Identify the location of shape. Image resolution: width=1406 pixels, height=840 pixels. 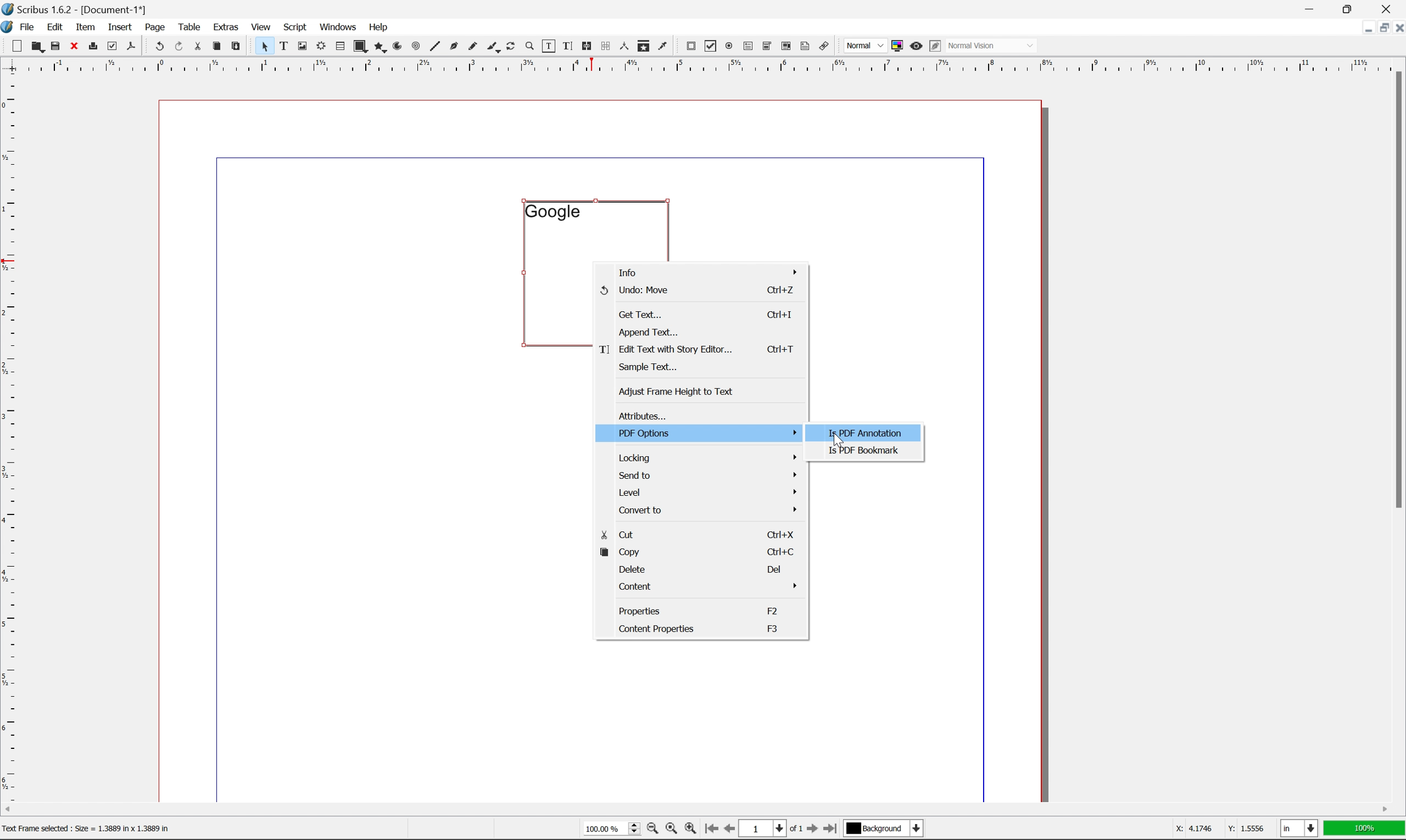
(361, 47).